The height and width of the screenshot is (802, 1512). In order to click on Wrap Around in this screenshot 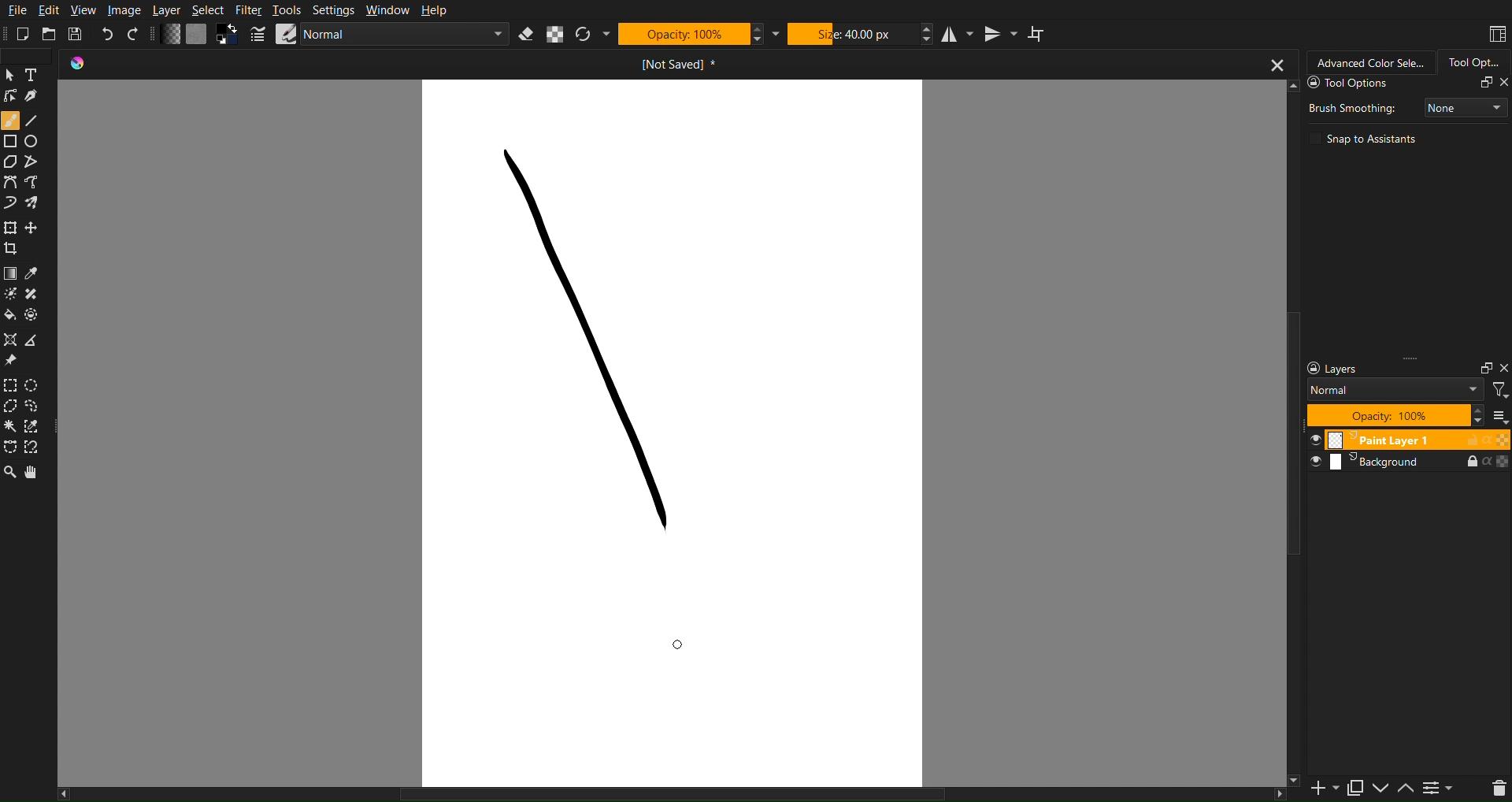, I will do `click(1037, 34)`.